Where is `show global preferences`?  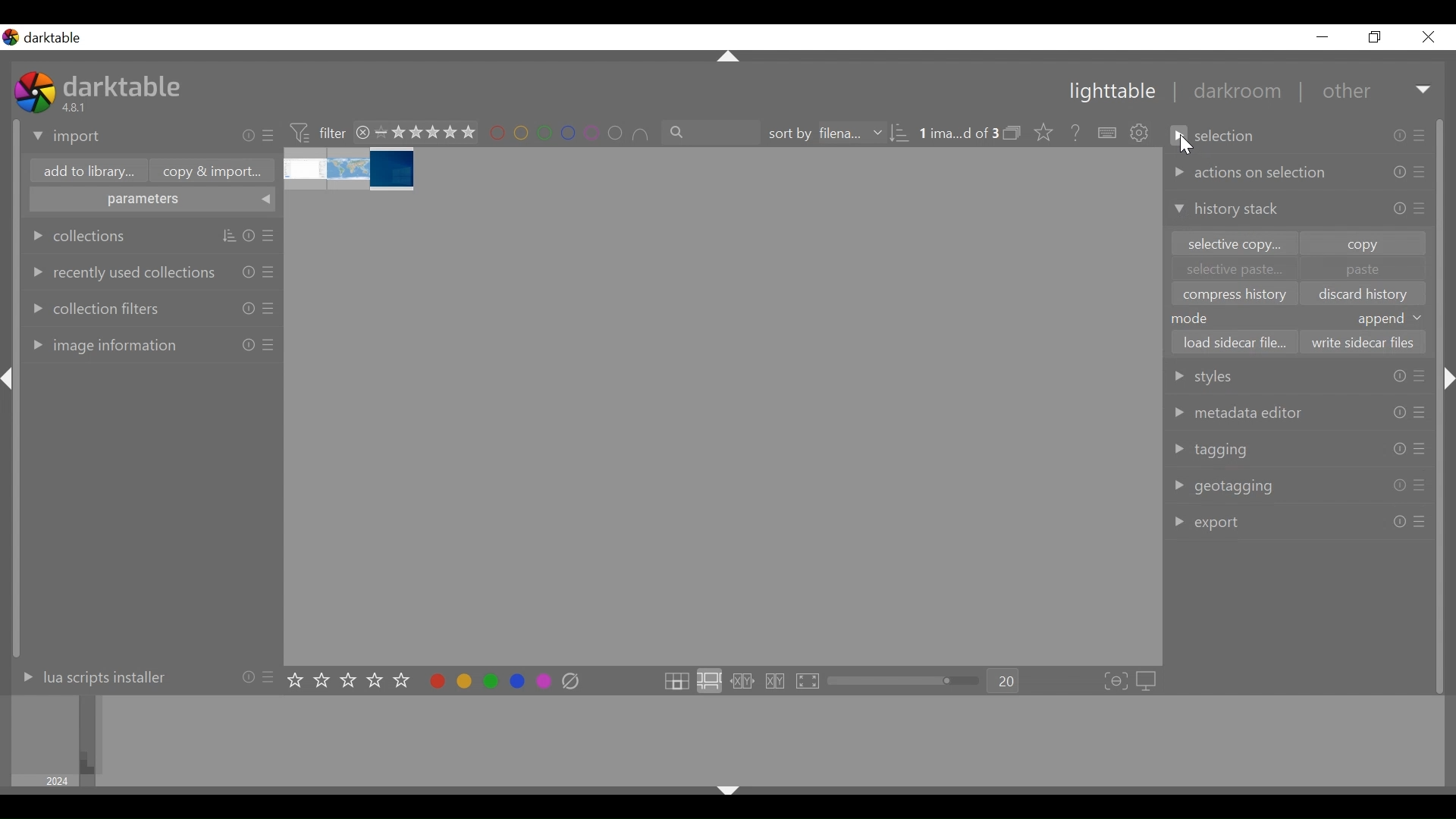
show global preferences is located at coordinates (1141, 134).